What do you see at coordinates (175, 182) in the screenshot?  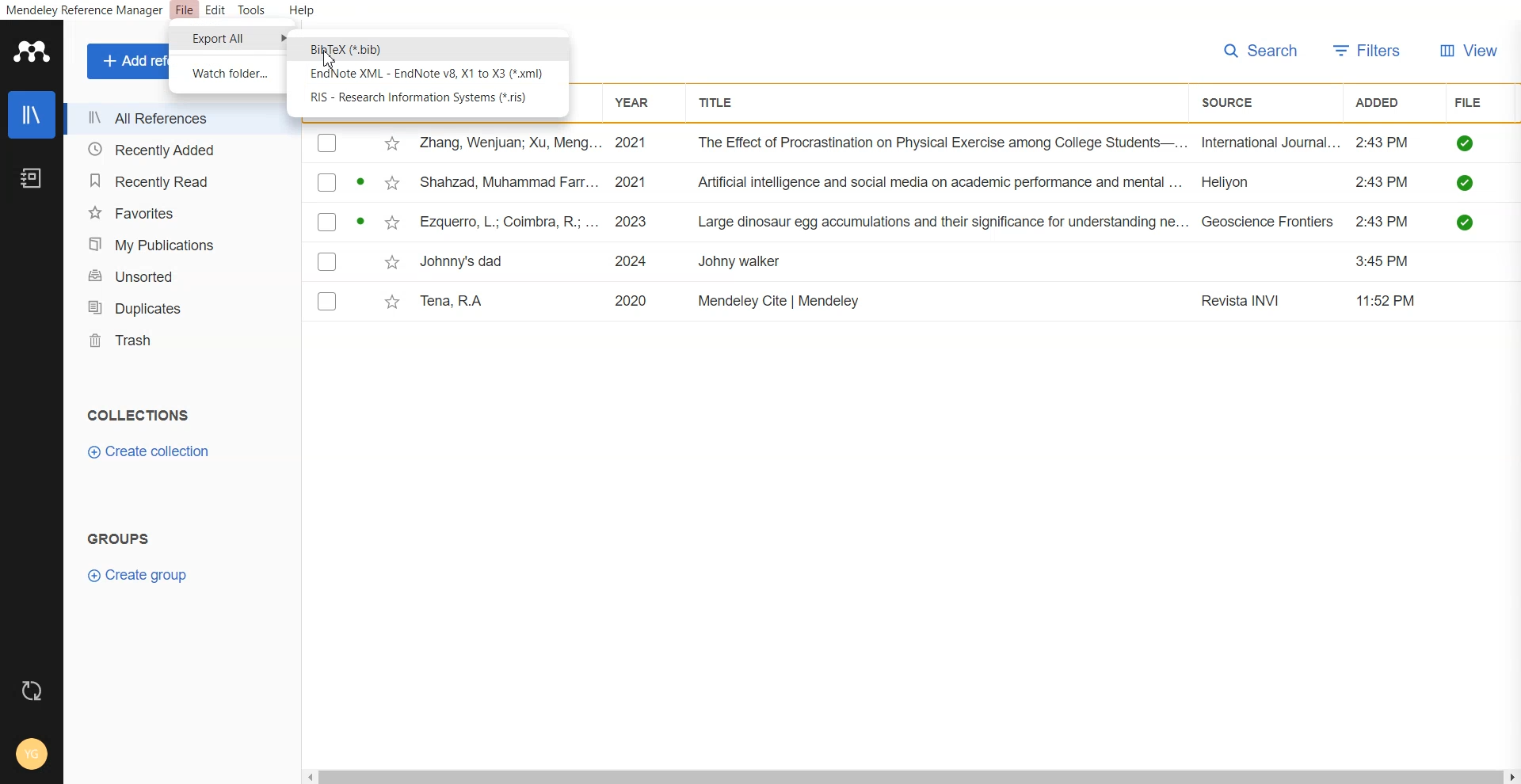 I see `Recently Read` at bounding box center [175, 182].